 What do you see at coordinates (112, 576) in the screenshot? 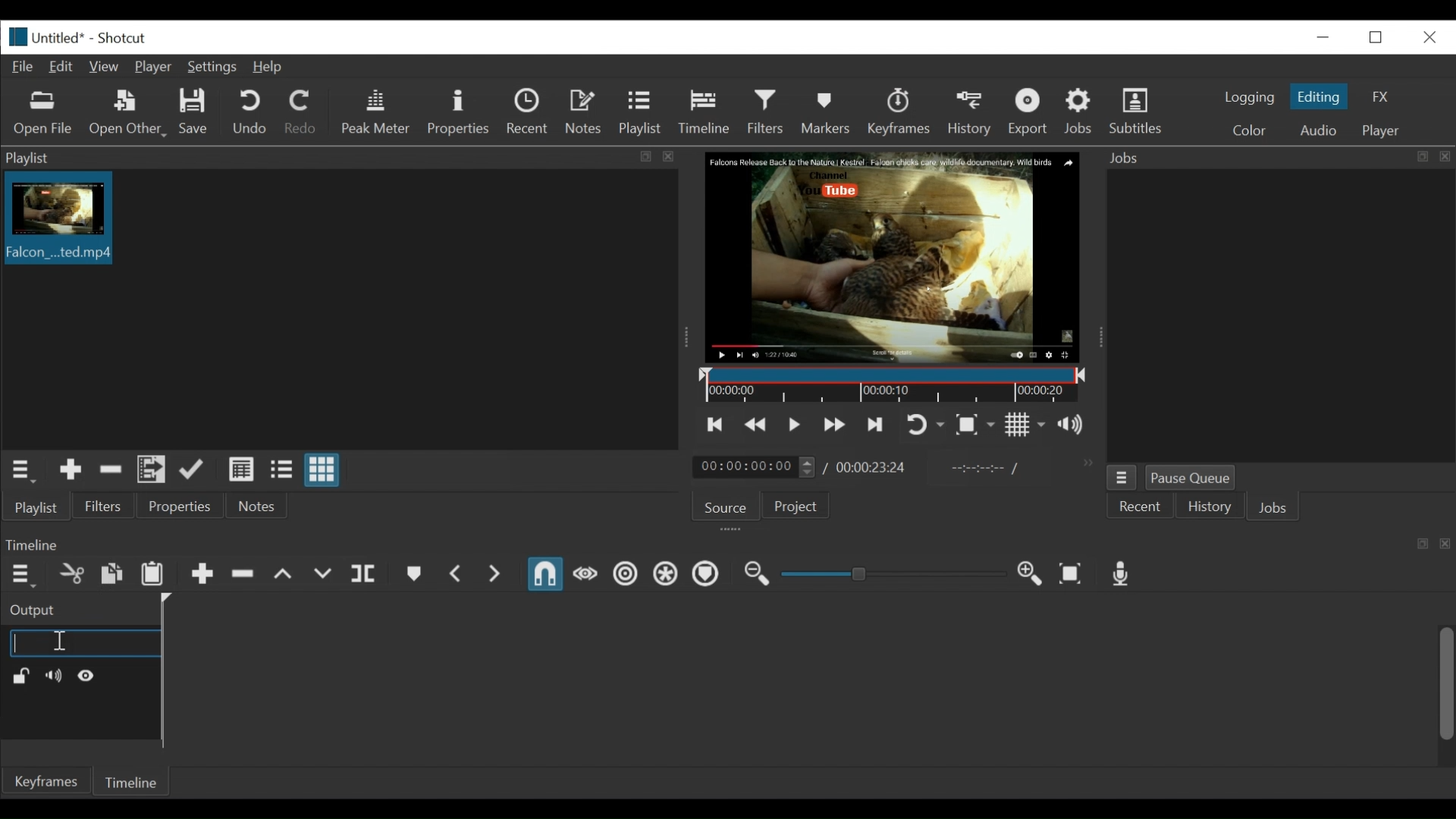
I see `Copy` at bounding box center [112, 576].